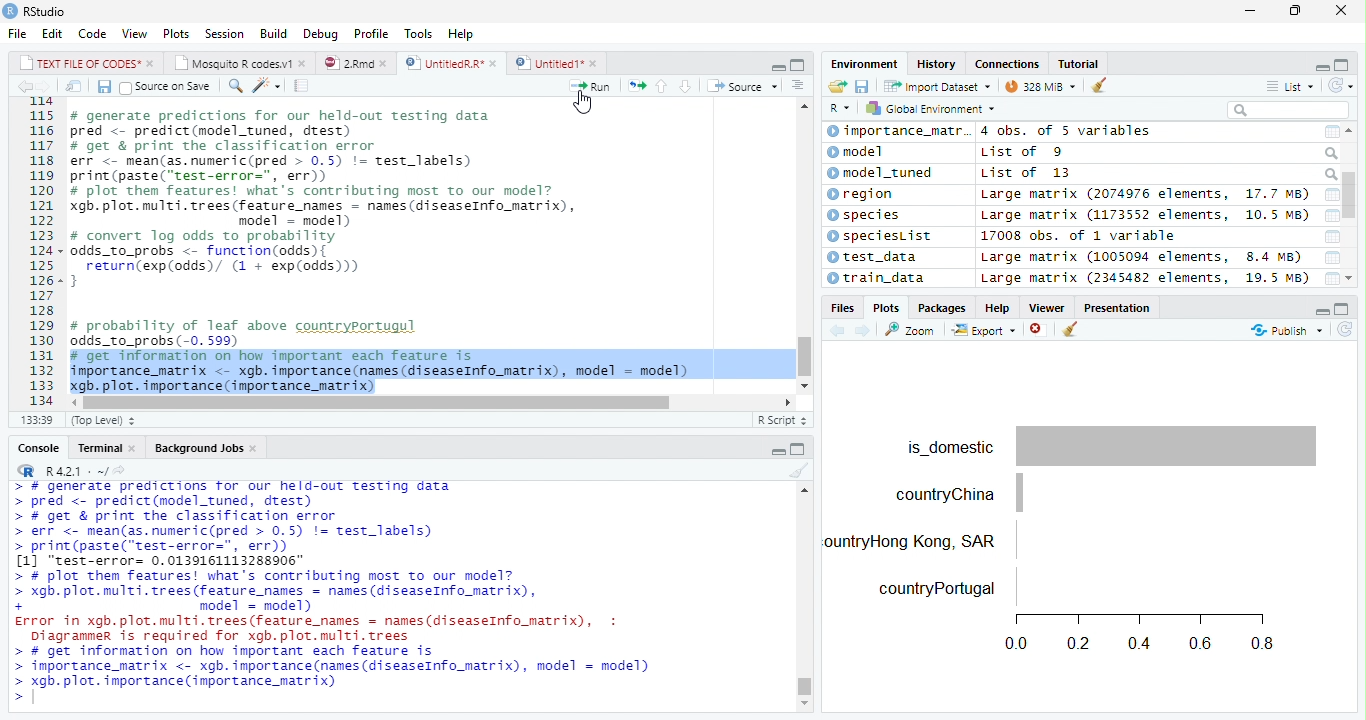 This screenshot has width=1366, height=720. Describe the element at coordinates (105, 419) in the screenshot. I see `Top Level` at that location.